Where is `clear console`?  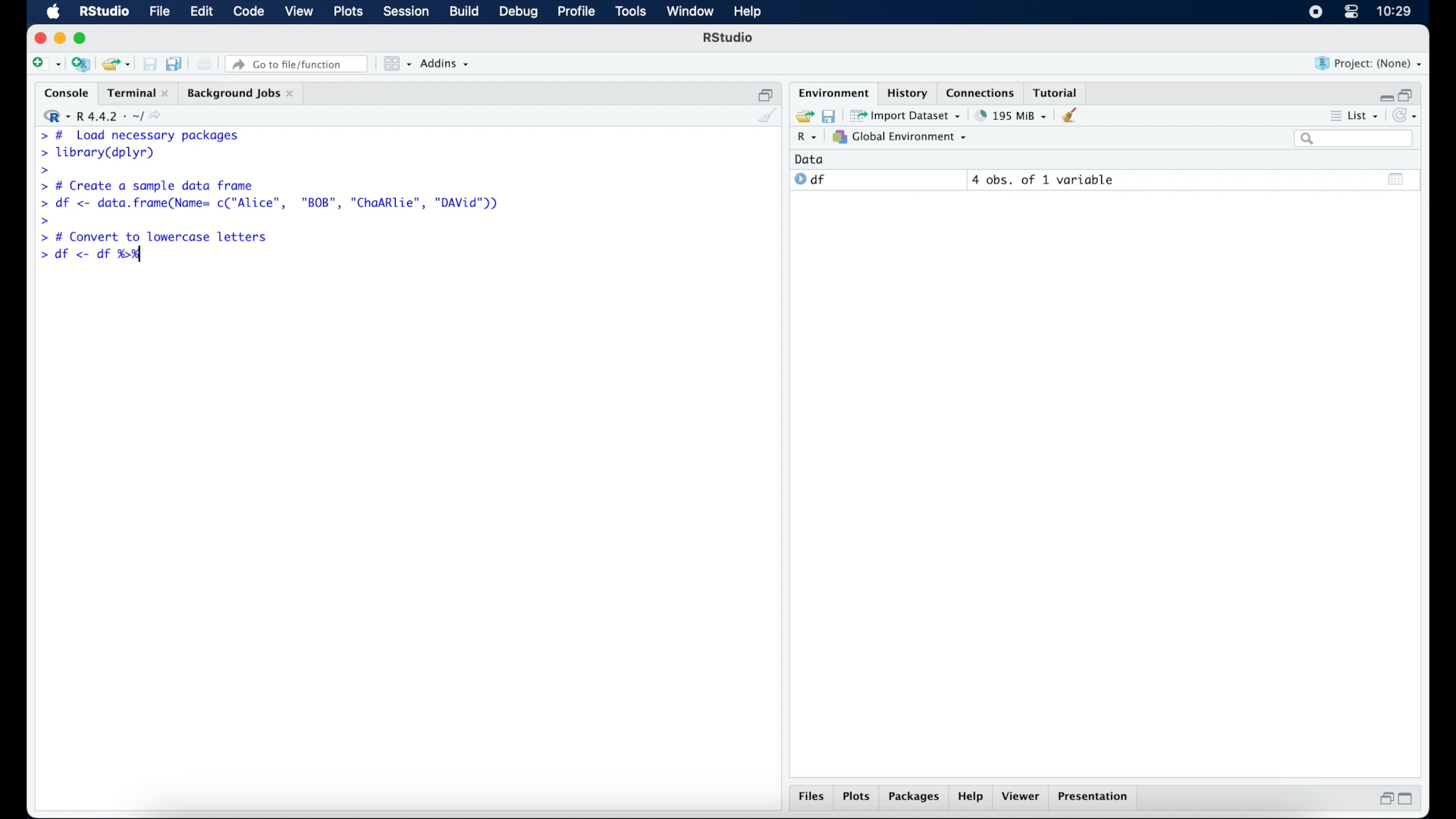 clear console is located at coordinates (766, 117).